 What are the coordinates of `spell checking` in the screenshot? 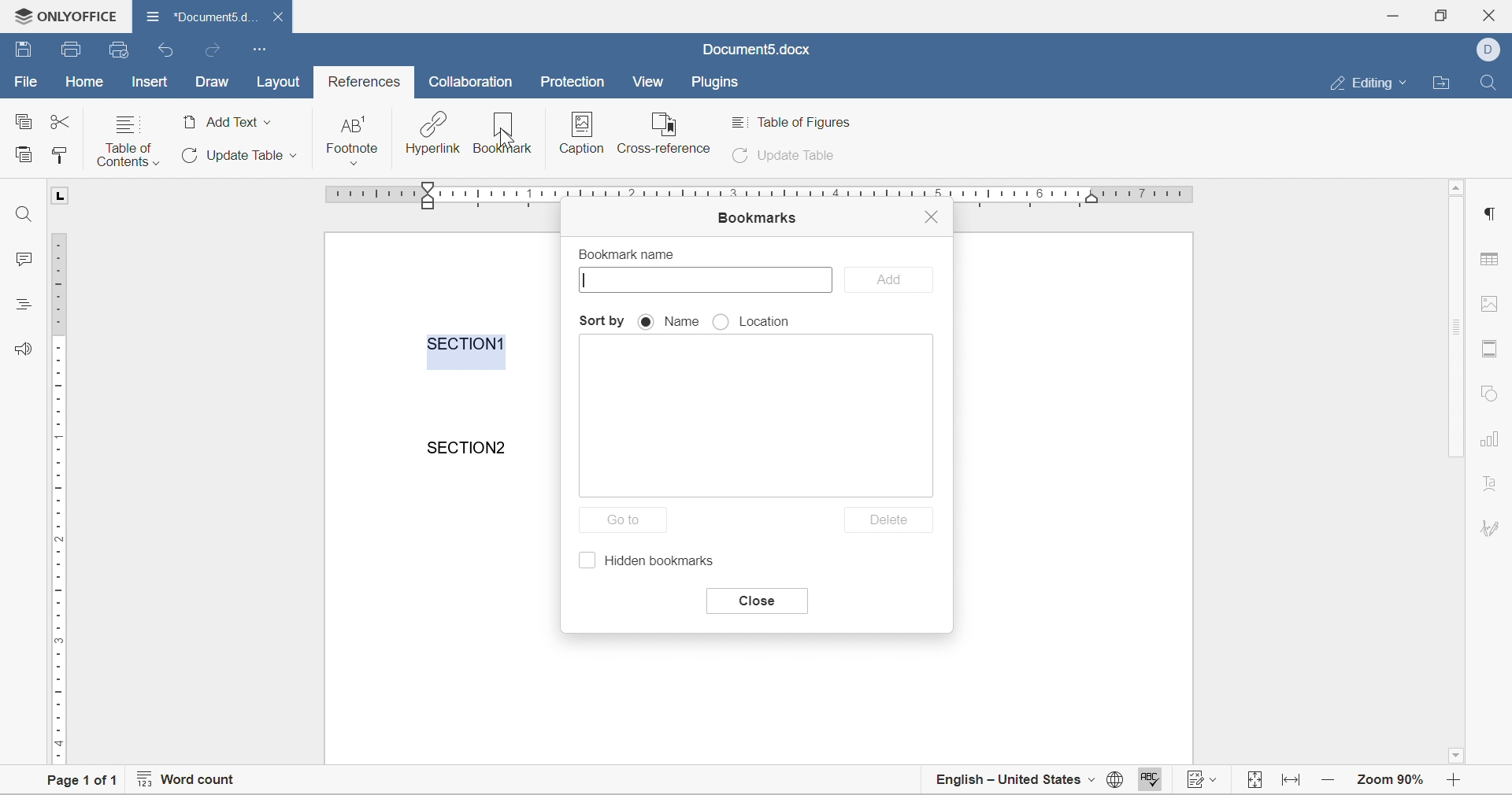 It's located at (1147, 782).